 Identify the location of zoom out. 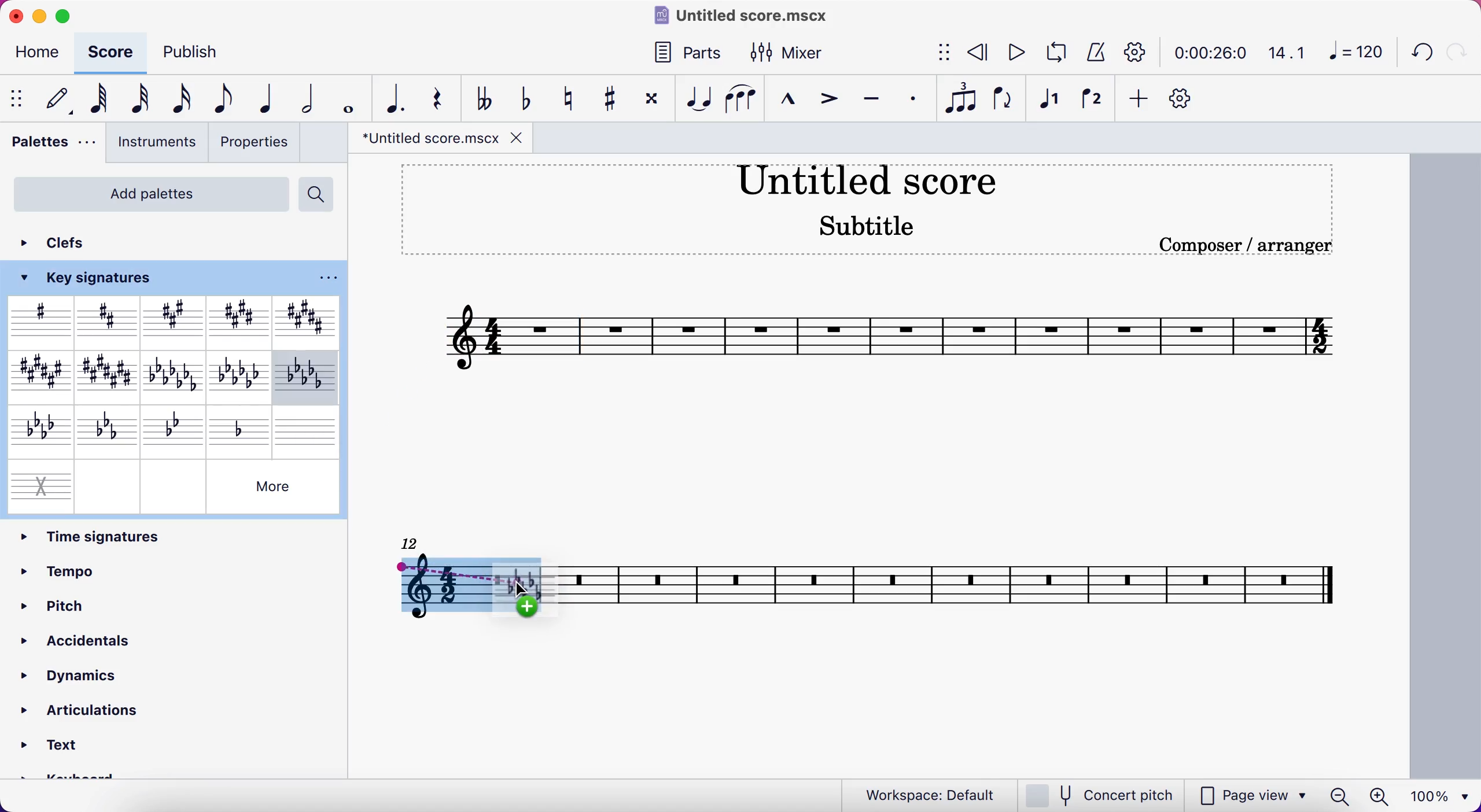
(1339, 796).